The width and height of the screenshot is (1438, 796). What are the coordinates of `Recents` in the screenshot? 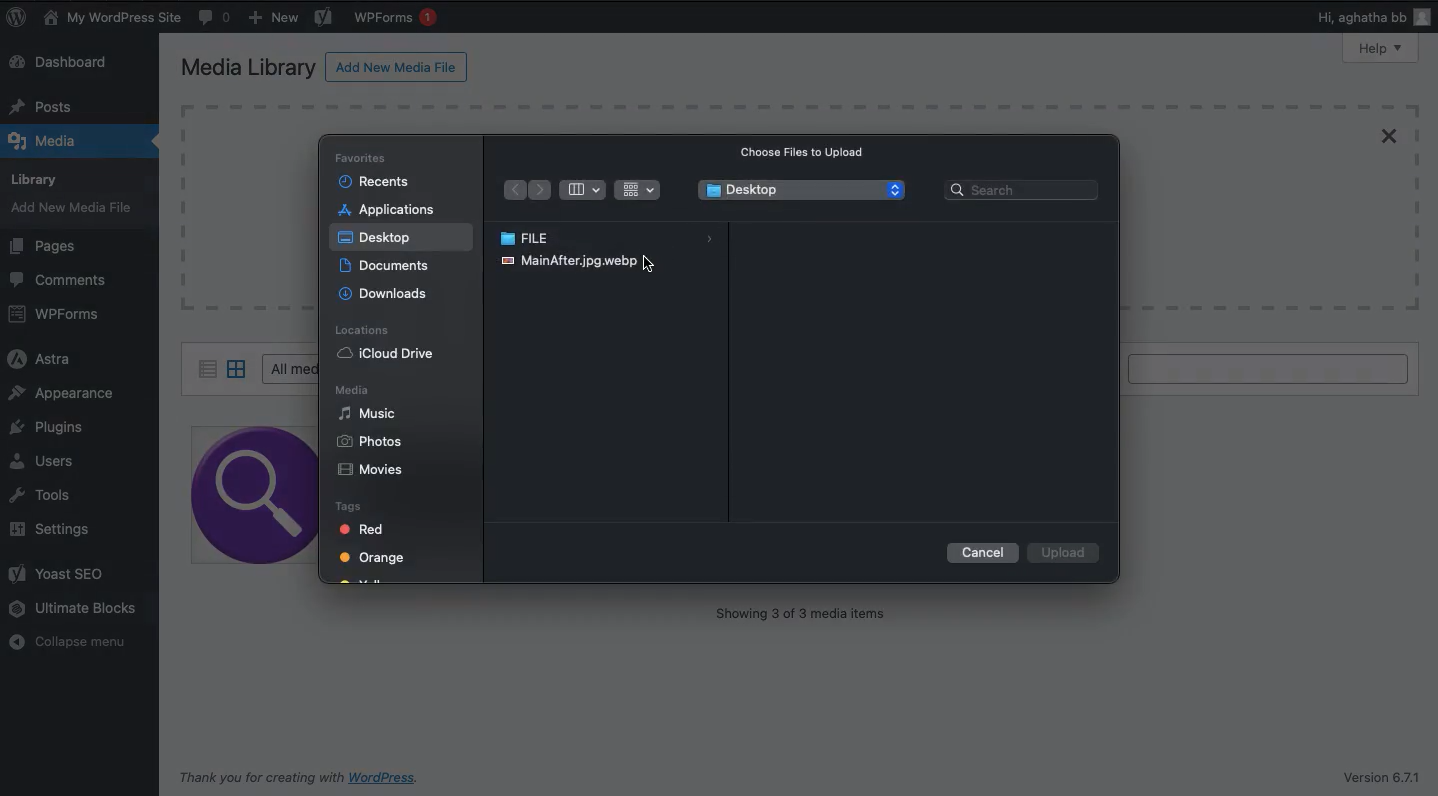 It's located at (372, 183).